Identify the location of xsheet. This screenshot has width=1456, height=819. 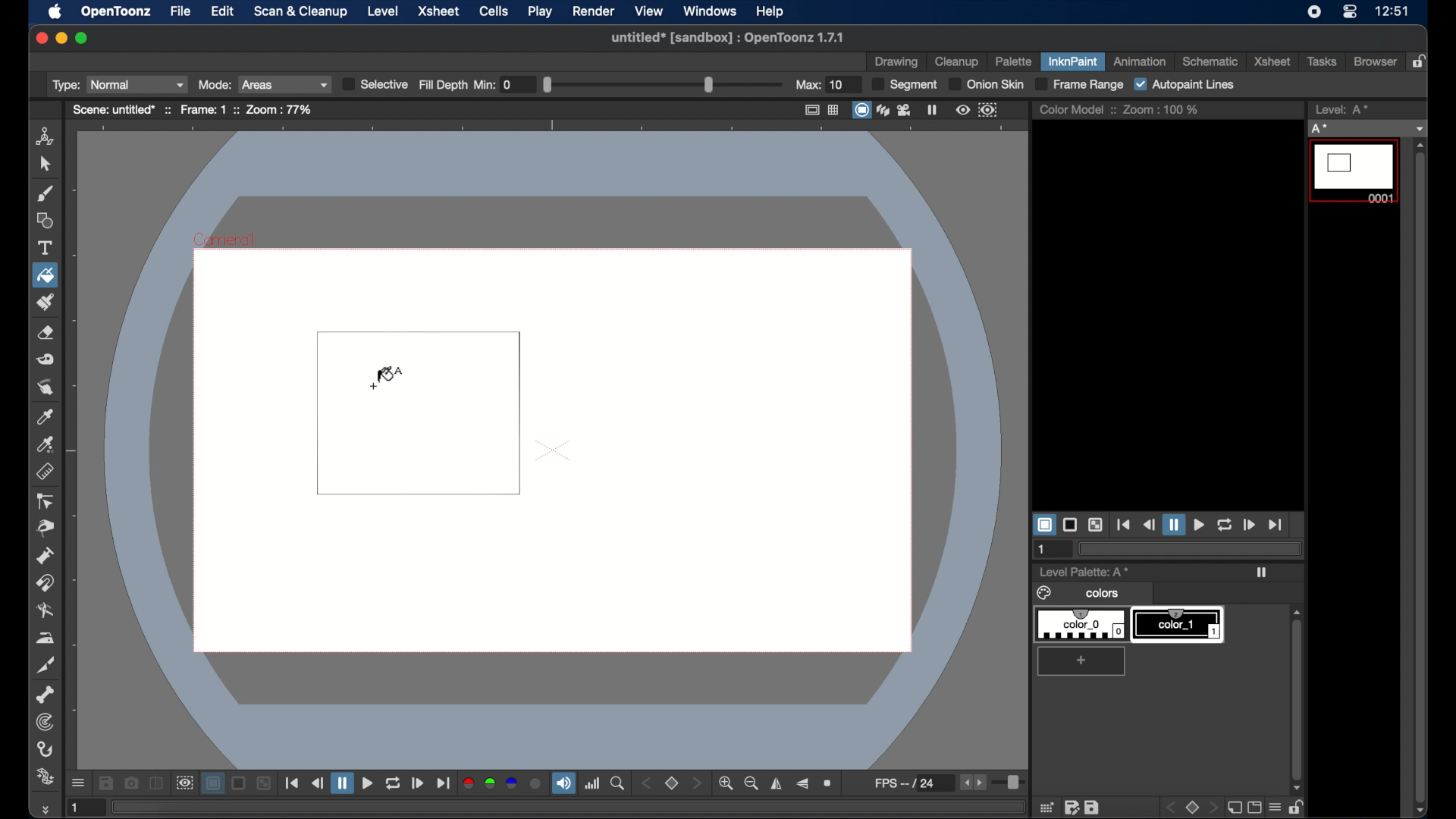
(441, 12).